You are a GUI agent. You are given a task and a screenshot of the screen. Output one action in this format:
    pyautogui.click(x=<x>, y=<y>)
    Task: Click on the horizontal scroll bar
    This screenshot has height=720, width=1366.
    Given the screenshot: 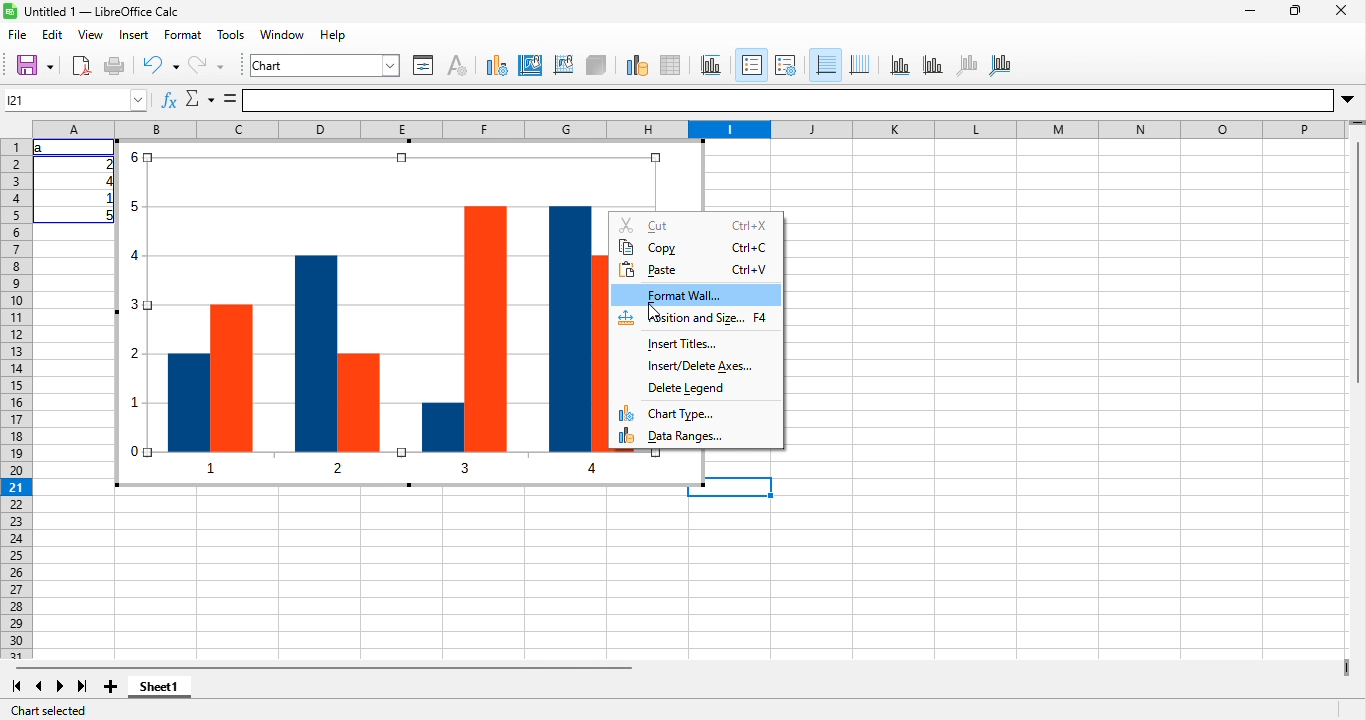 What is the action you would take?
    pyautogui.click(x=324, y=667)
    